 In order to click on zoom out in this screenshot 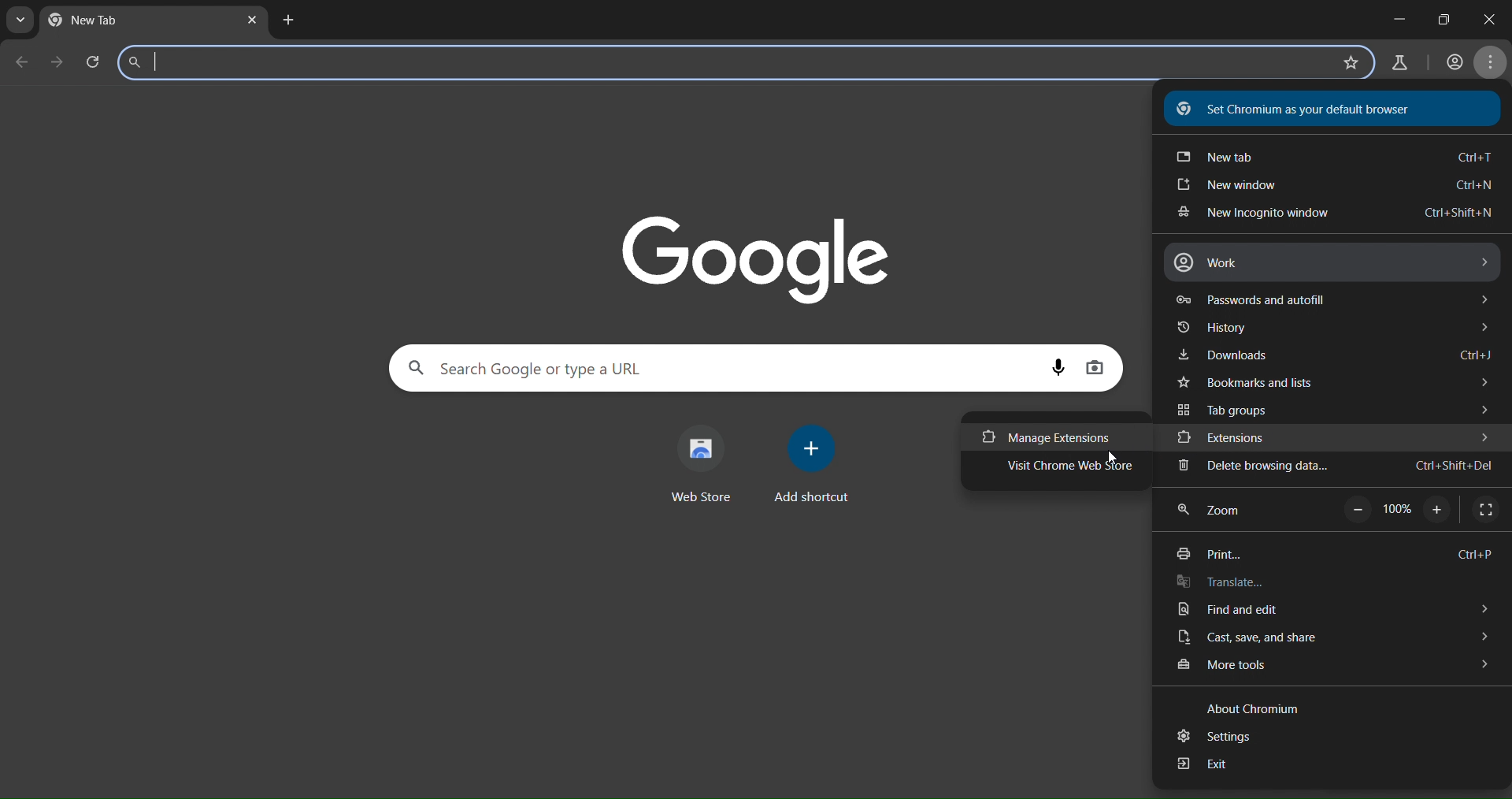, I will do `click(1356, 511)`.